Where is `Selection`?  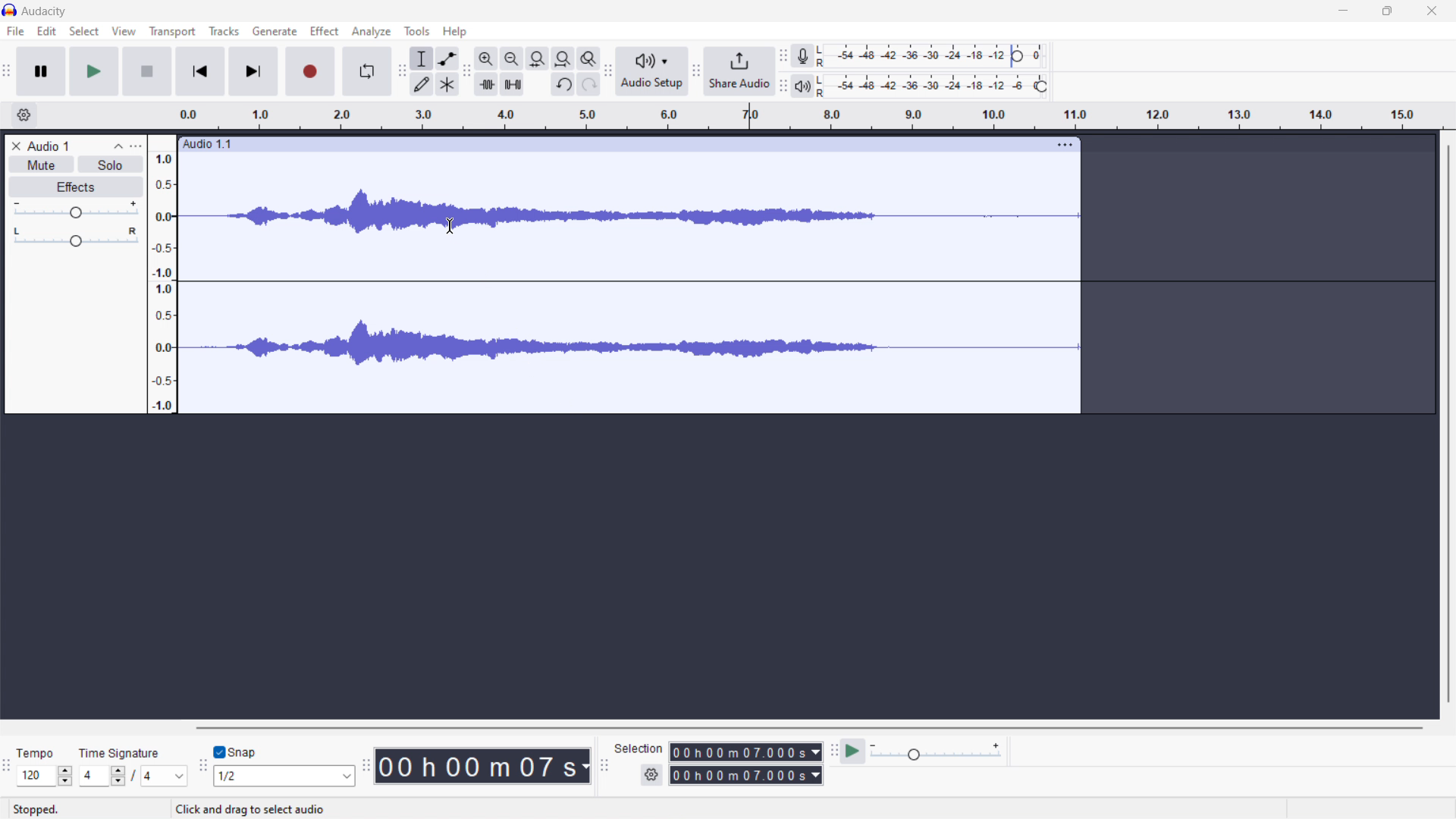
Selection is located at coordinates (639, 750).